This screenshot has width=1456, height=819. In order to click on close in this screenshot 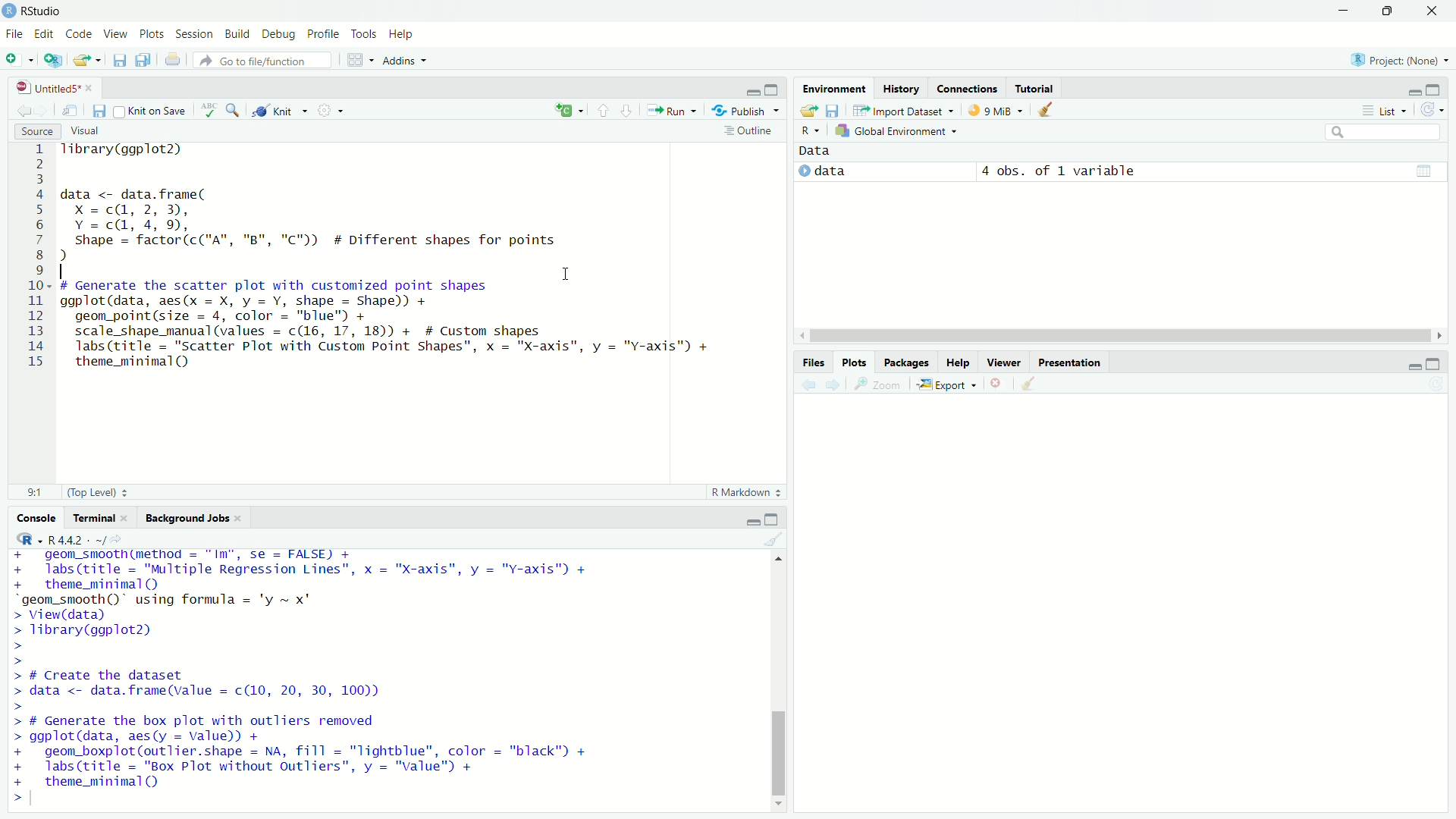, I will do `click(1432, 11)`.